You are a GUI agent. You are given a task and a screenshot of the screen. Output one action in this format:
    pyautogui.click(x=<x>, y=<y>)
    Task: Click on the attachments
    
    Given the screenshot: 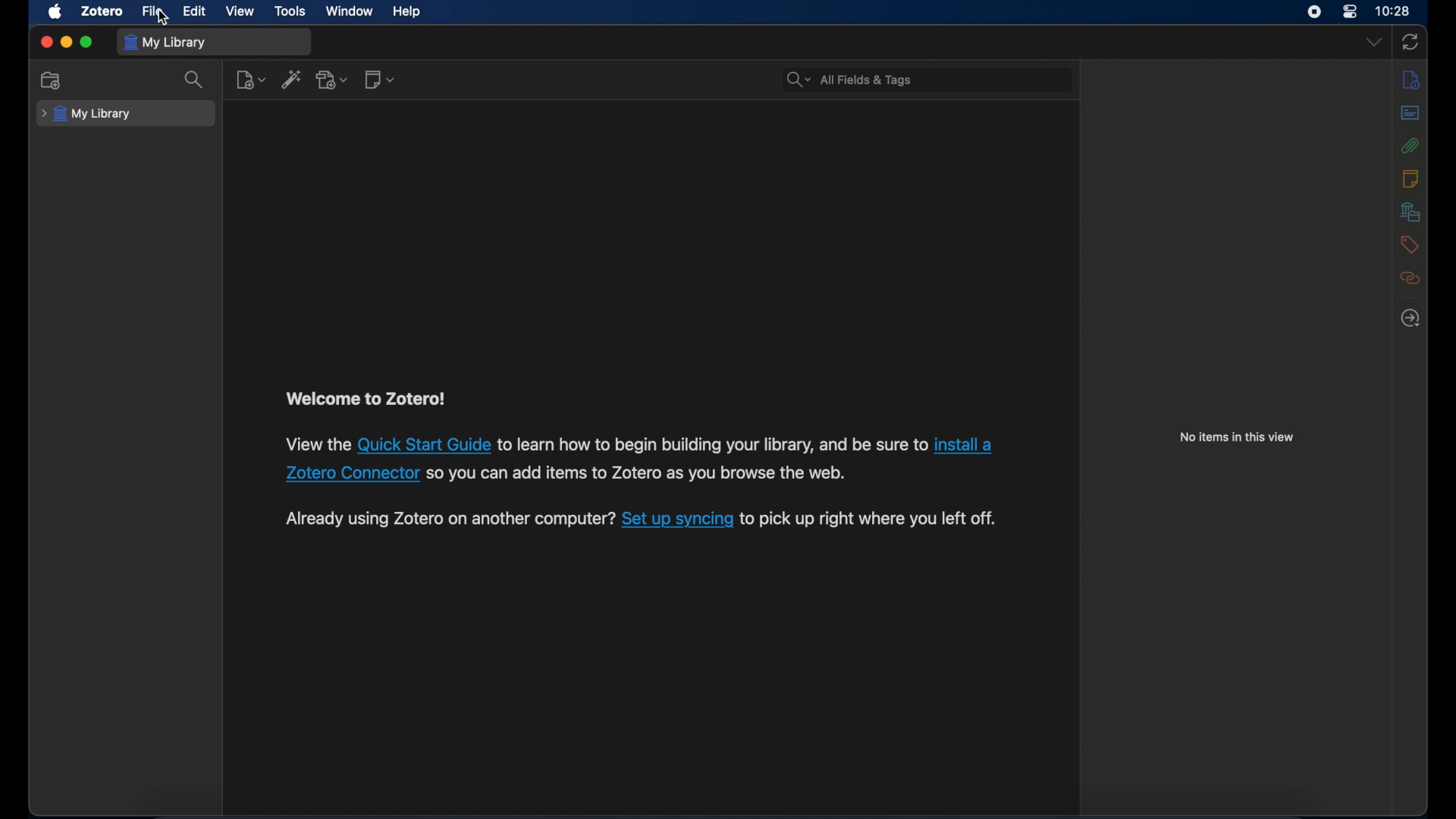 What is the action you would take?
    pyautogui.click(x=1410, y=146)
    